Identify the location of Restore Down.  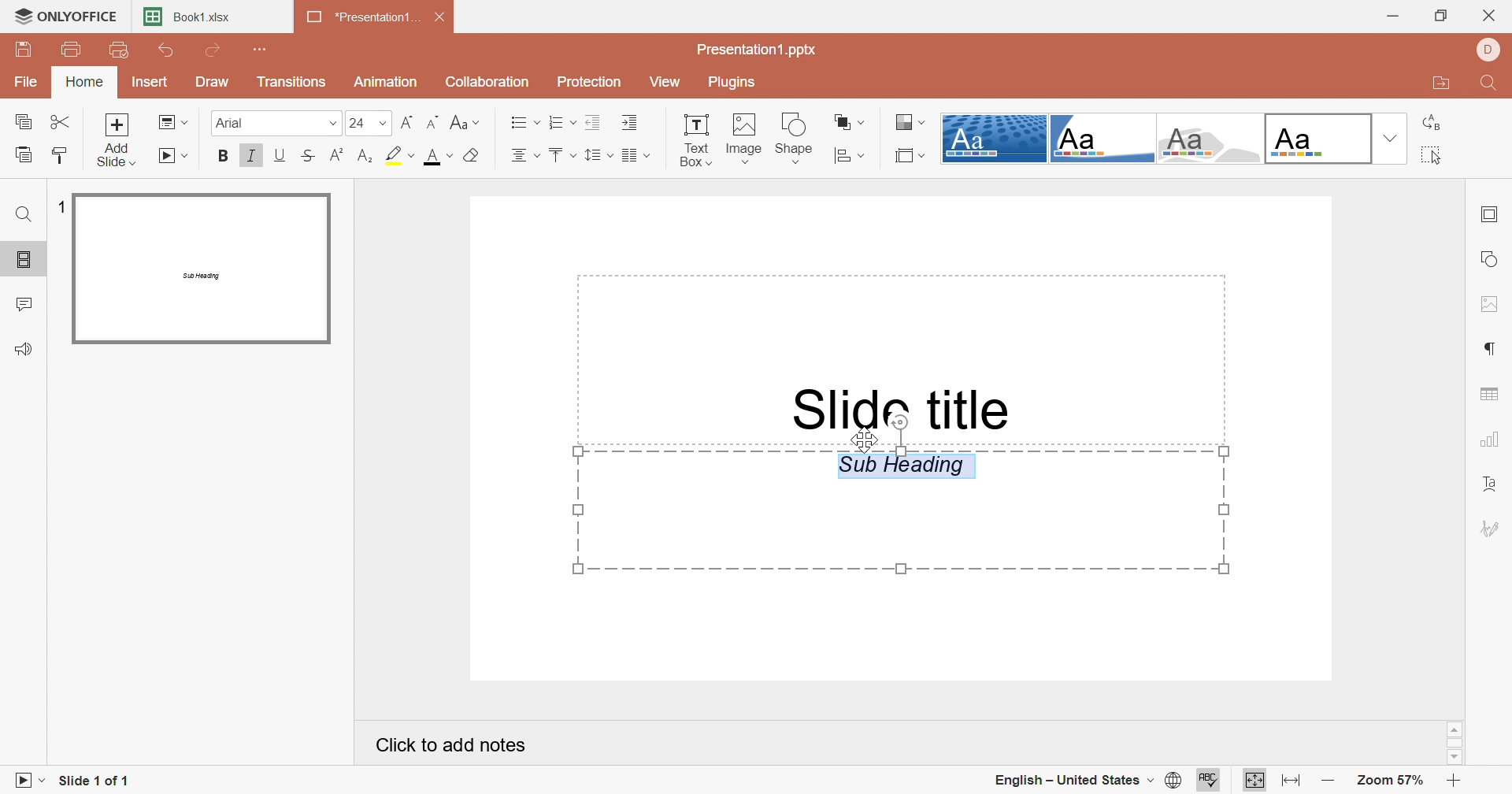
(1443, 17).